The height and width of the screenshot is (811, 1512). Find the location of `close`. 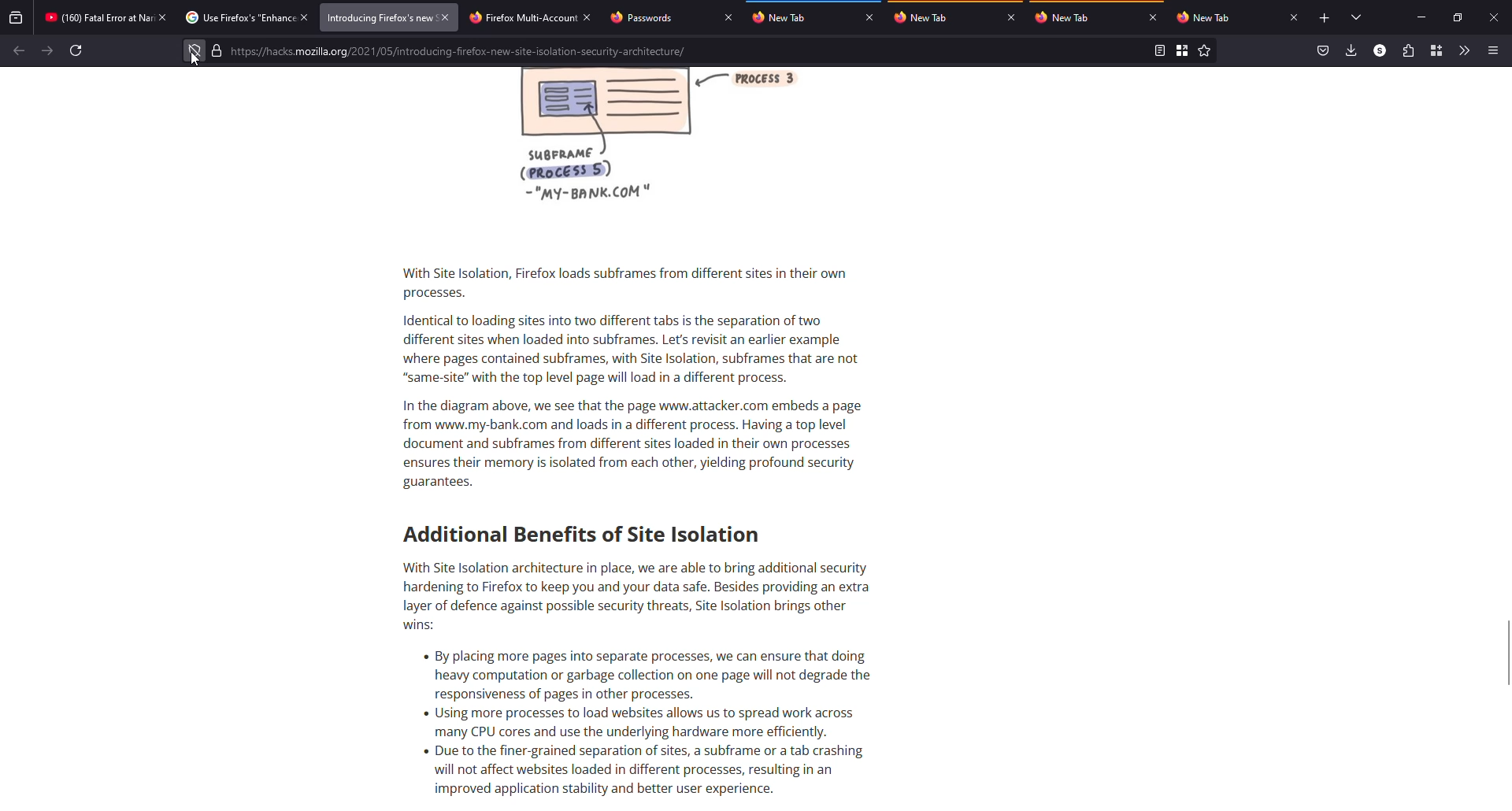

close is located at coordinates (1295, 17).